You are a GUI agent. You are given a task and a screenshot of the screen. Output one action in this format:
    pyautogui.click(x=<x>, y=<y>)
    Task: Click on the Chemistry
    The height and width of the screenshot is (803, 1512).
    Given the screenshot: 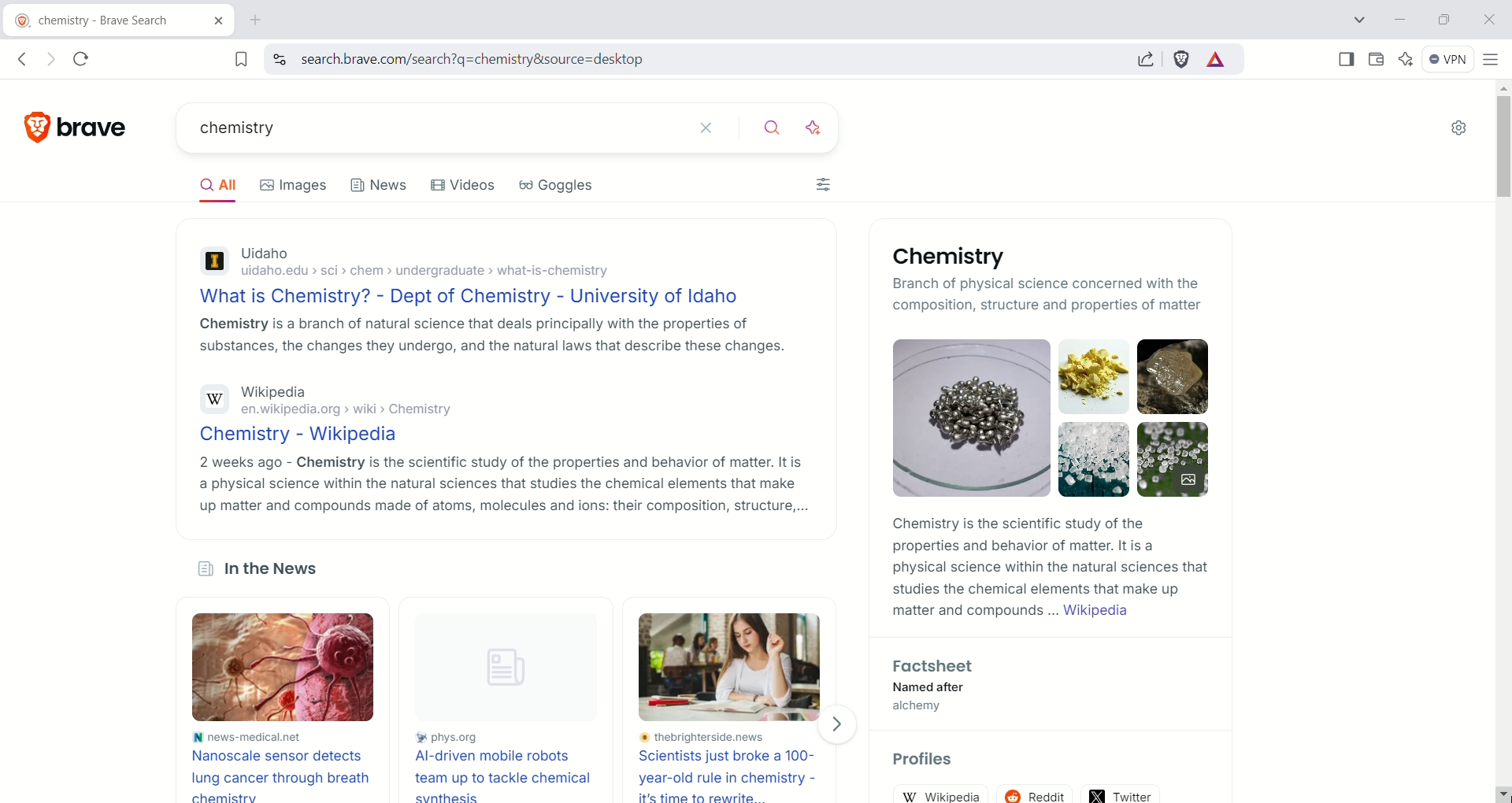 What is the action you would take?
    pyautogui.click(x=943, y=257)
    